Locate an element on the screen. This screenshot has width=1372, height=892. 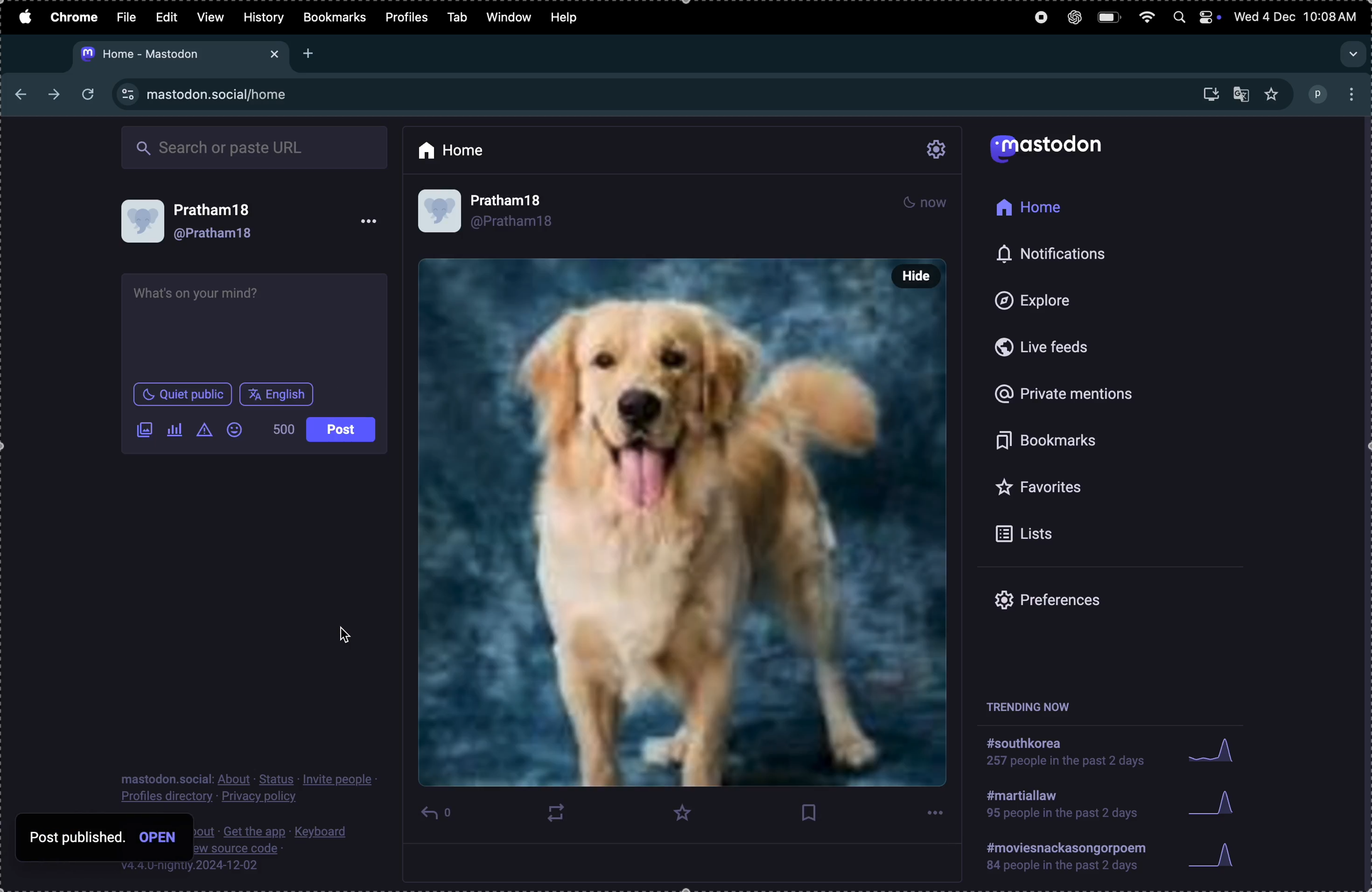
book marks is located at coordinates (1081, 439).